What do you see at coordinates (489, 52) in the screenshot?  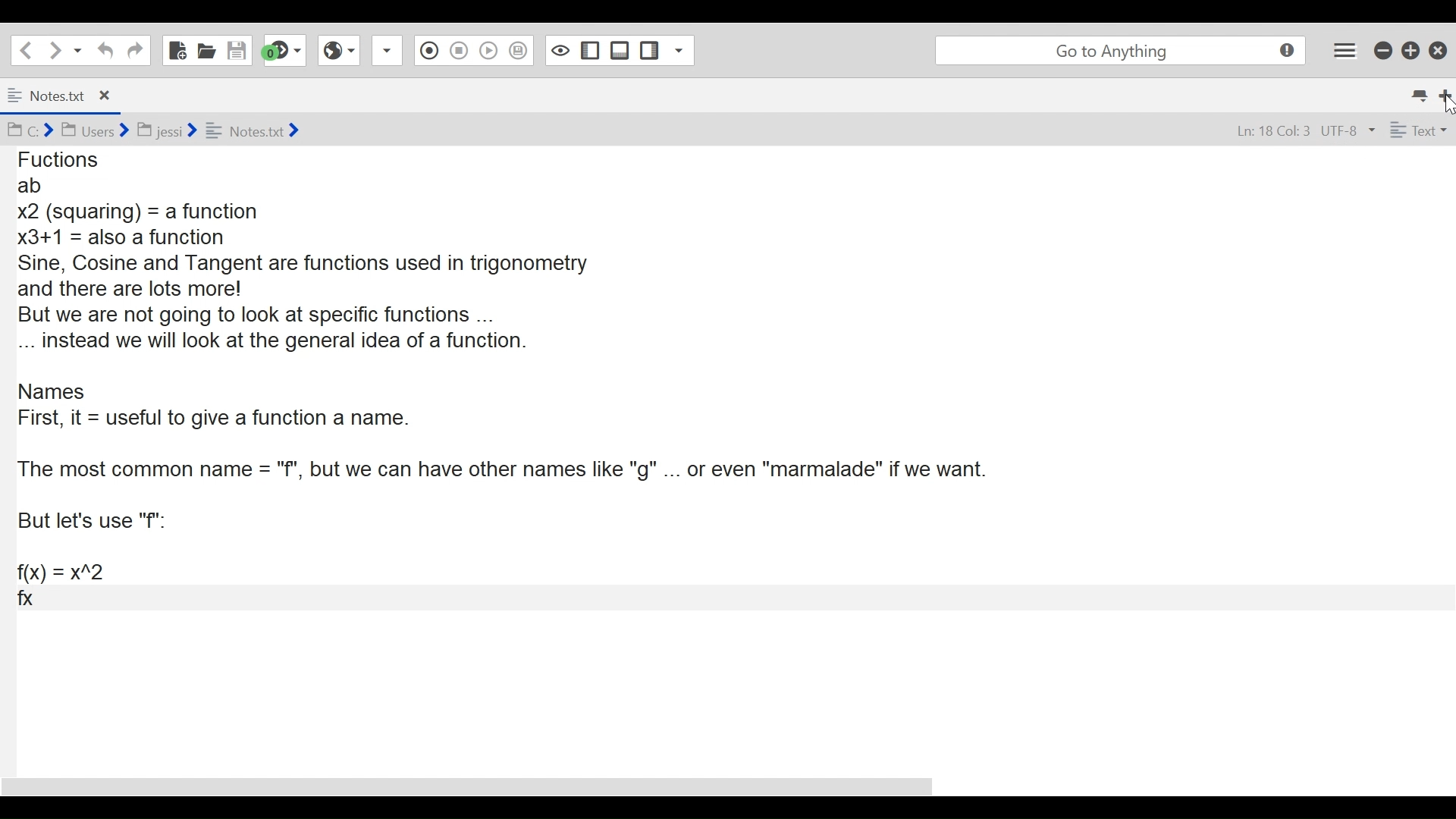 I see `Play Last Macro` at bounding box center [489, 52].